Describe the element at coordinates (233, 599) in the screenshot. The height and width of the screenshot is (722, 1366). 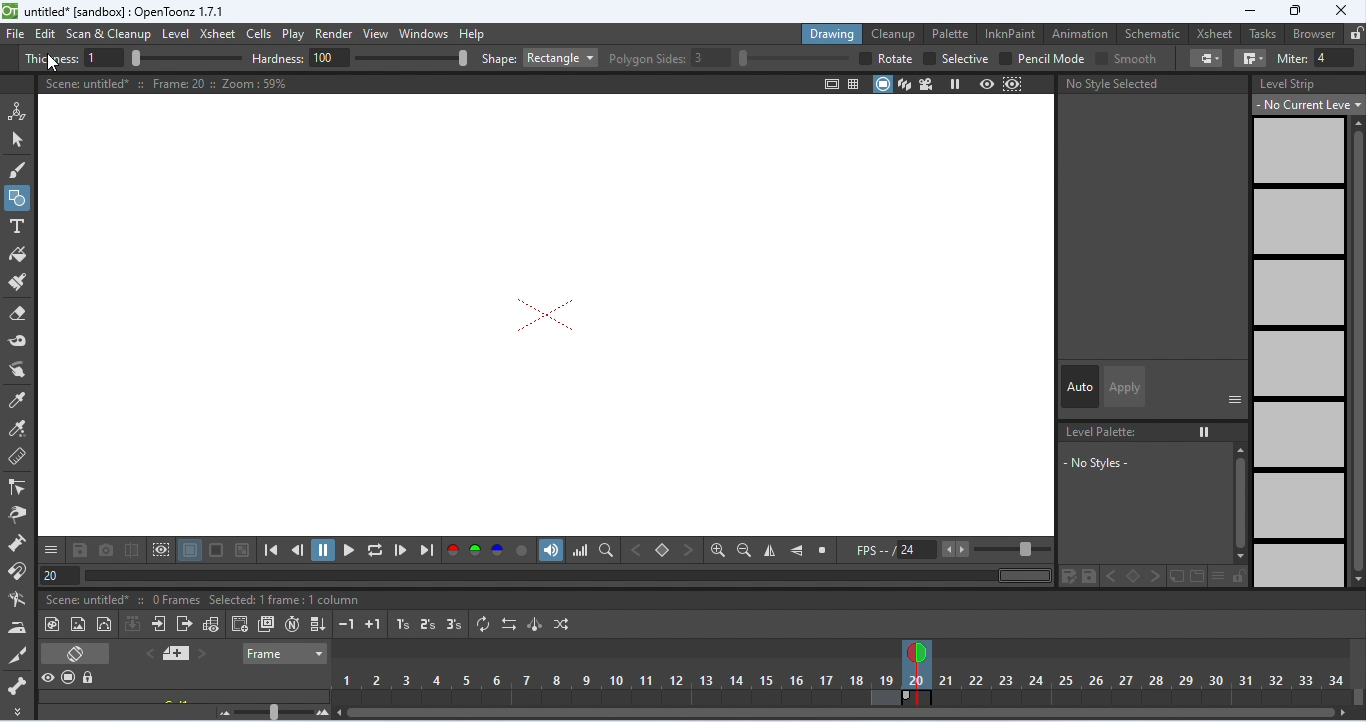
I see `level A` at that location.